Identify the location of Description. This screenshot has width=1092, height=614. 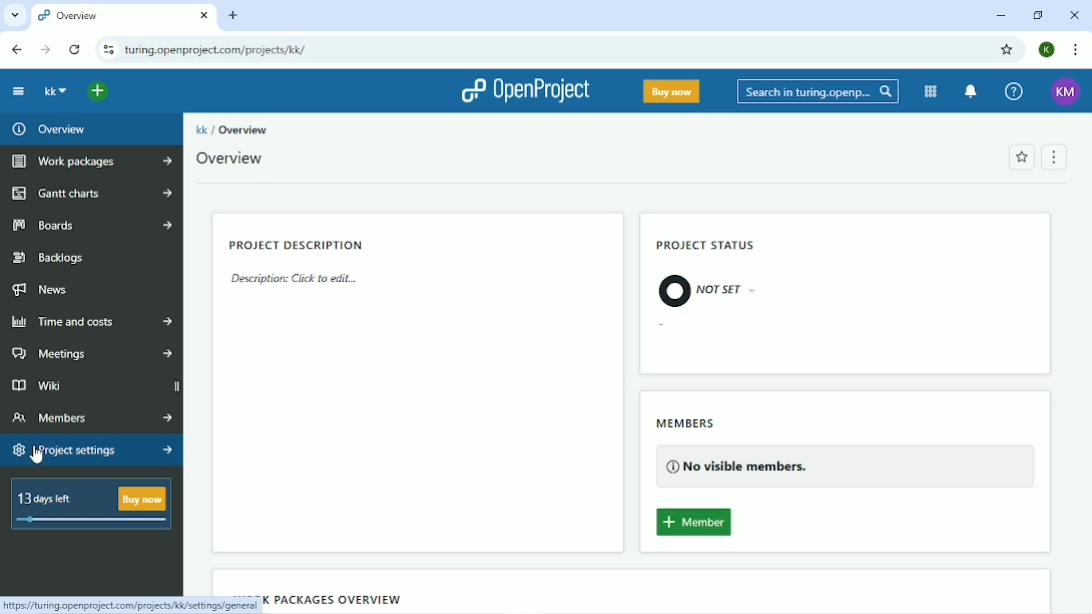
(297, 280).